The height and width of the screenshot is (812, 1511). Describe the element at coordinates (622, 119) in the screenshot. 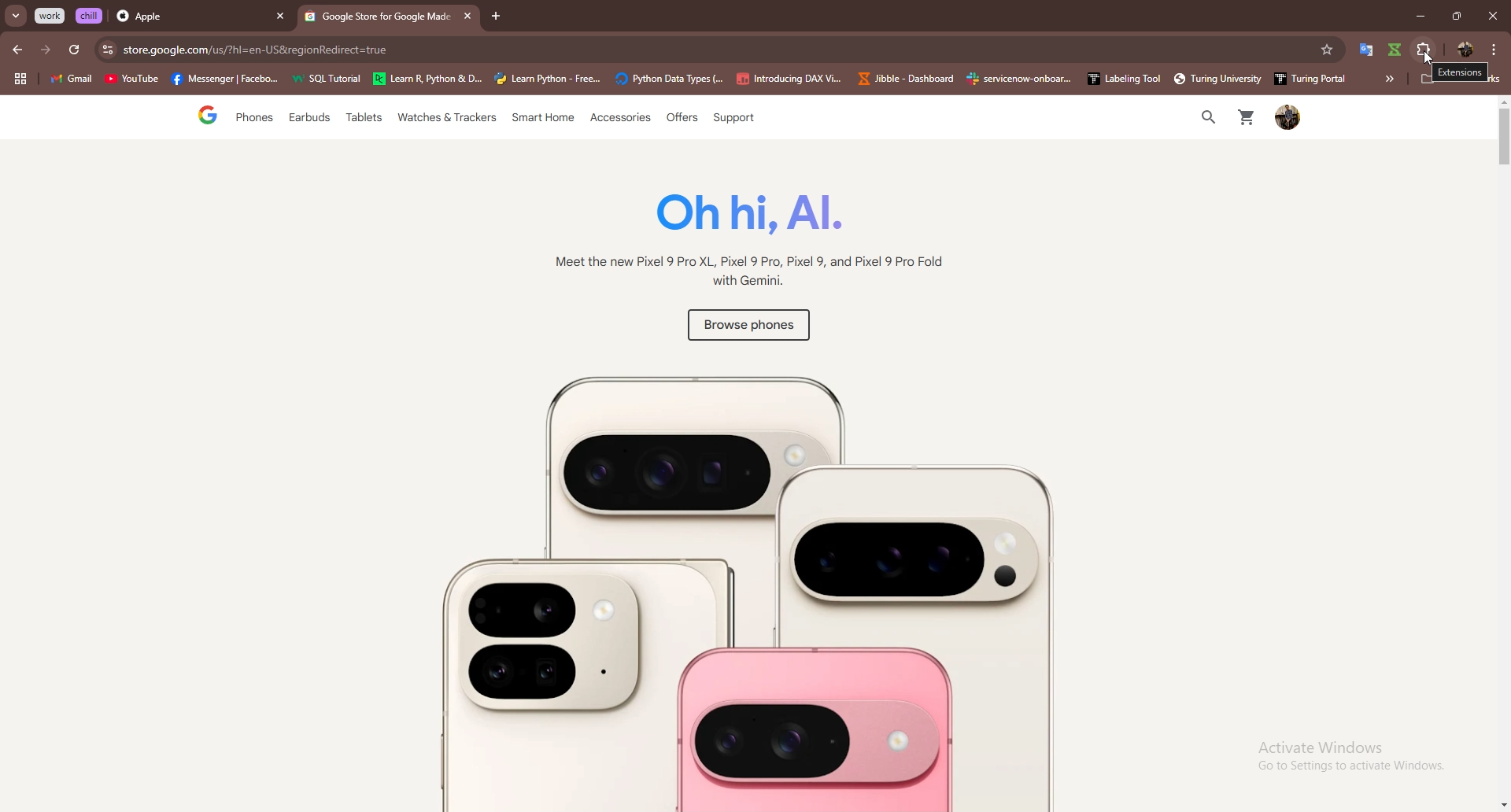

I see `Accessories` at that location.